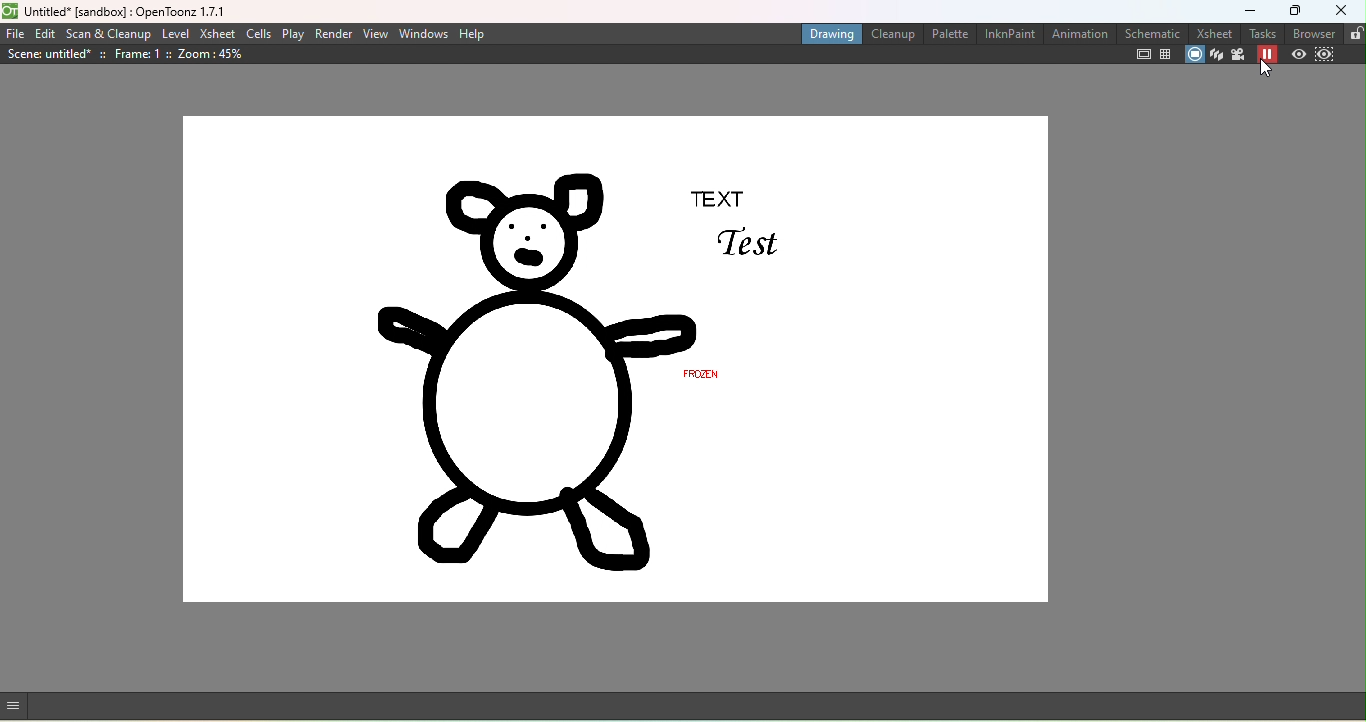 The width and height of the screenshot is (1366, 722). What do you see at coordinates (290, 34) in the screenshot?
I see `Play` at bounding box center [290, 34].